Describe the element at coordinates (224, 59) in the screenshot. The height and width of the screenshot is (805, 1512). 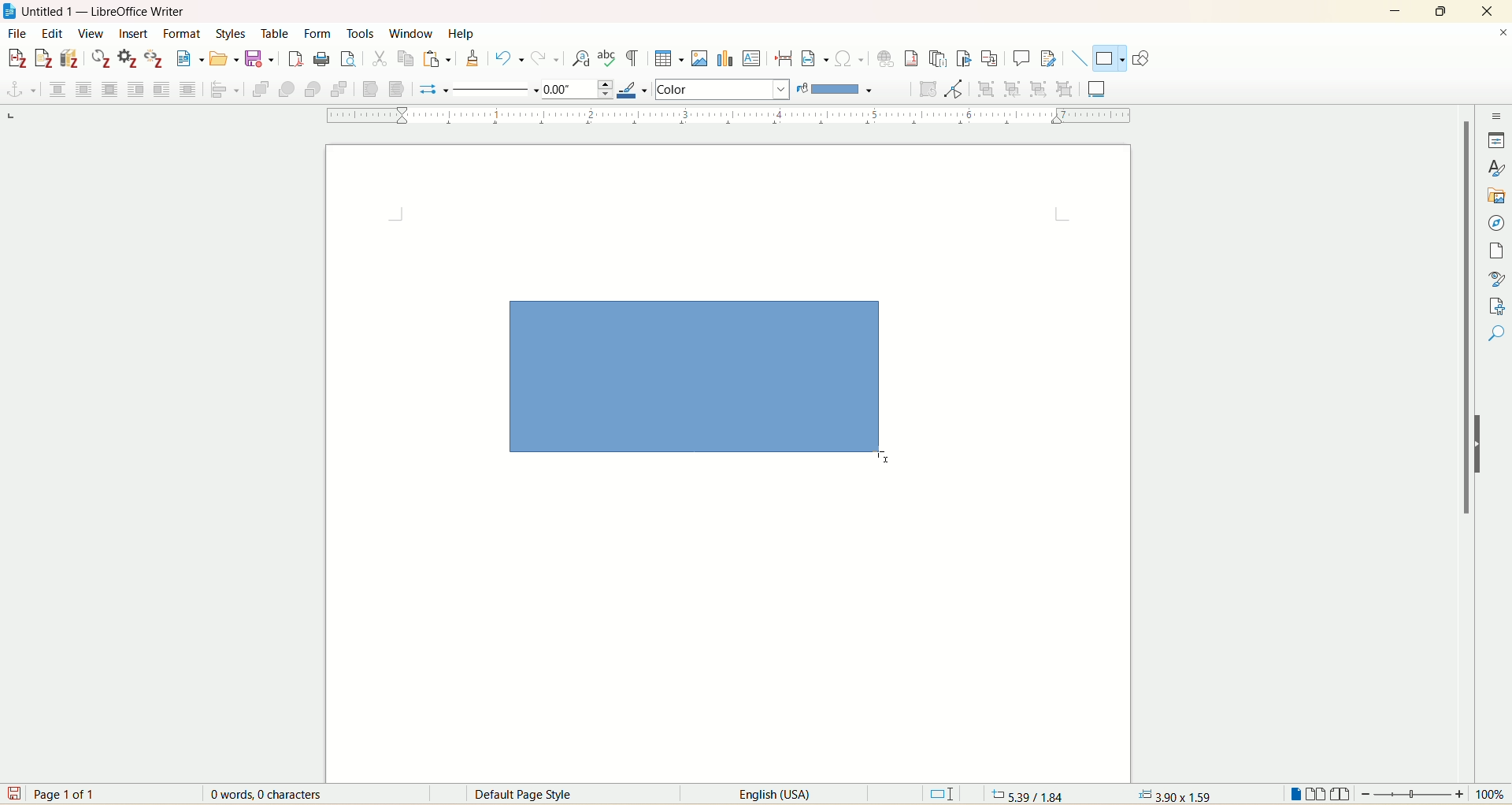
I see `open` at that location.